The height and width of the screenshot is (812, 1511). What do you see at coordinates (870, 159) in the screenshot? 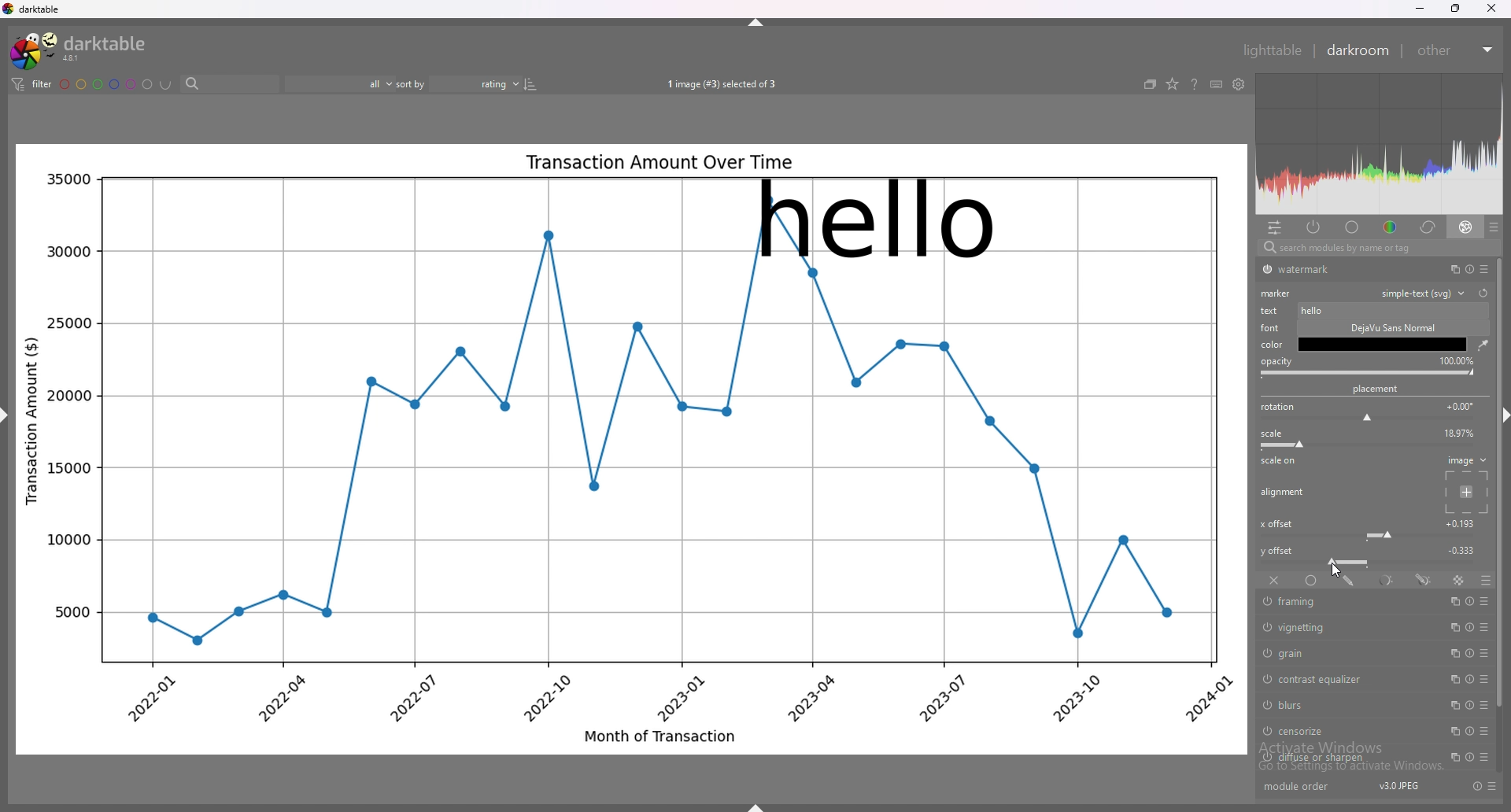
I see `graph` at bounding box center [870, 159].